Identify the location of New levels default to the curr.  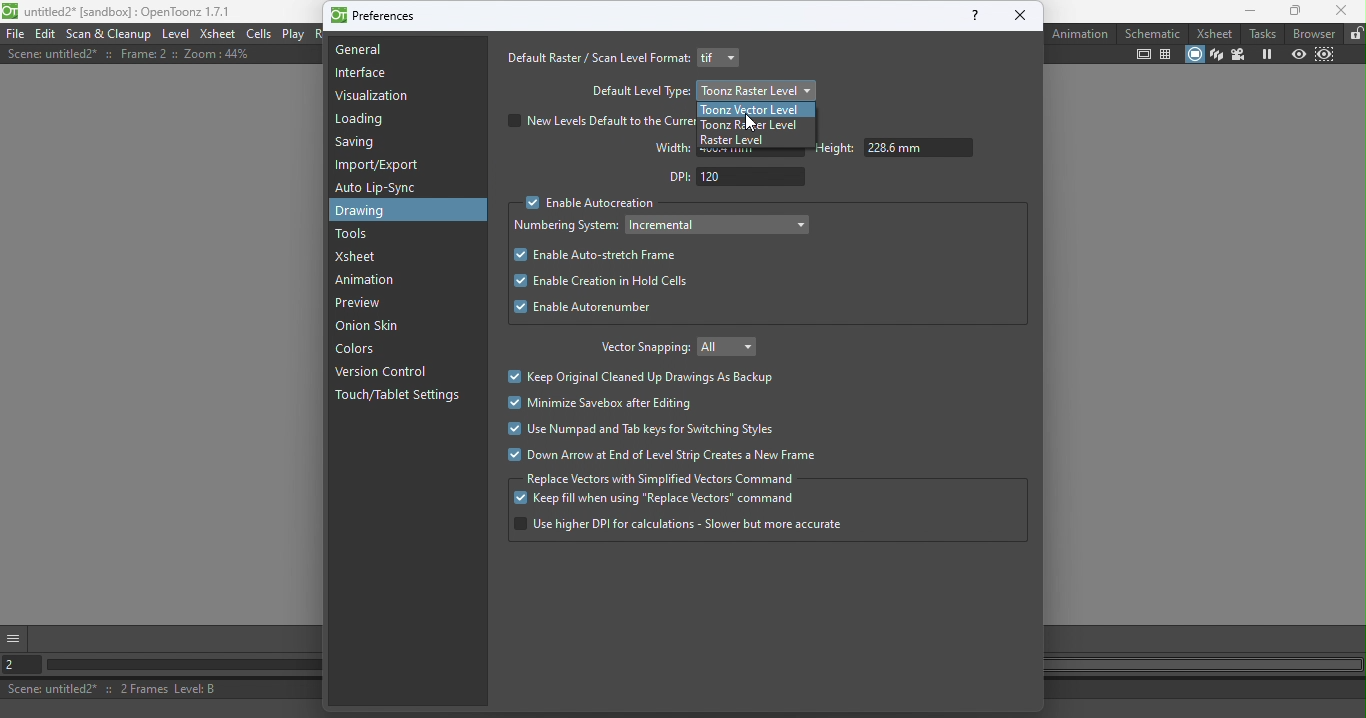
(592, 121).